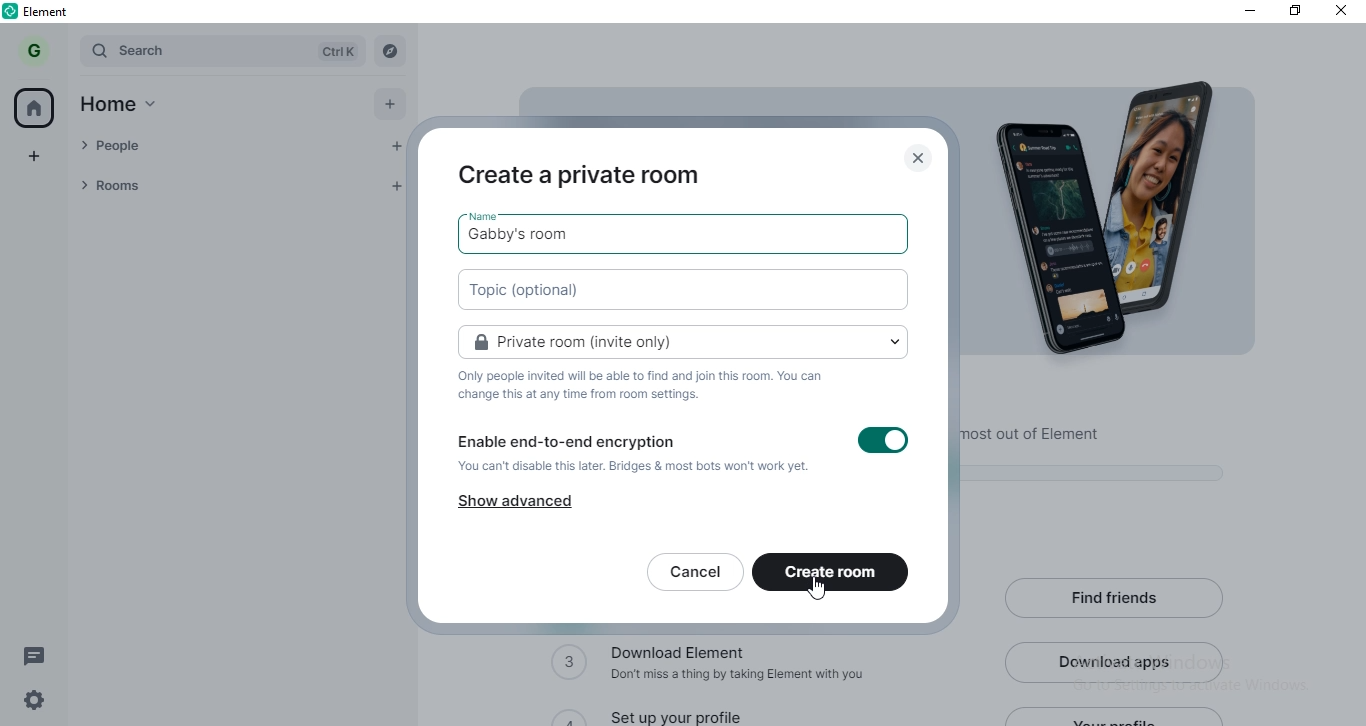 Image resolution: width=1366 pixels, height=726 pixels. I want to click on cancel, so click(693, 573).